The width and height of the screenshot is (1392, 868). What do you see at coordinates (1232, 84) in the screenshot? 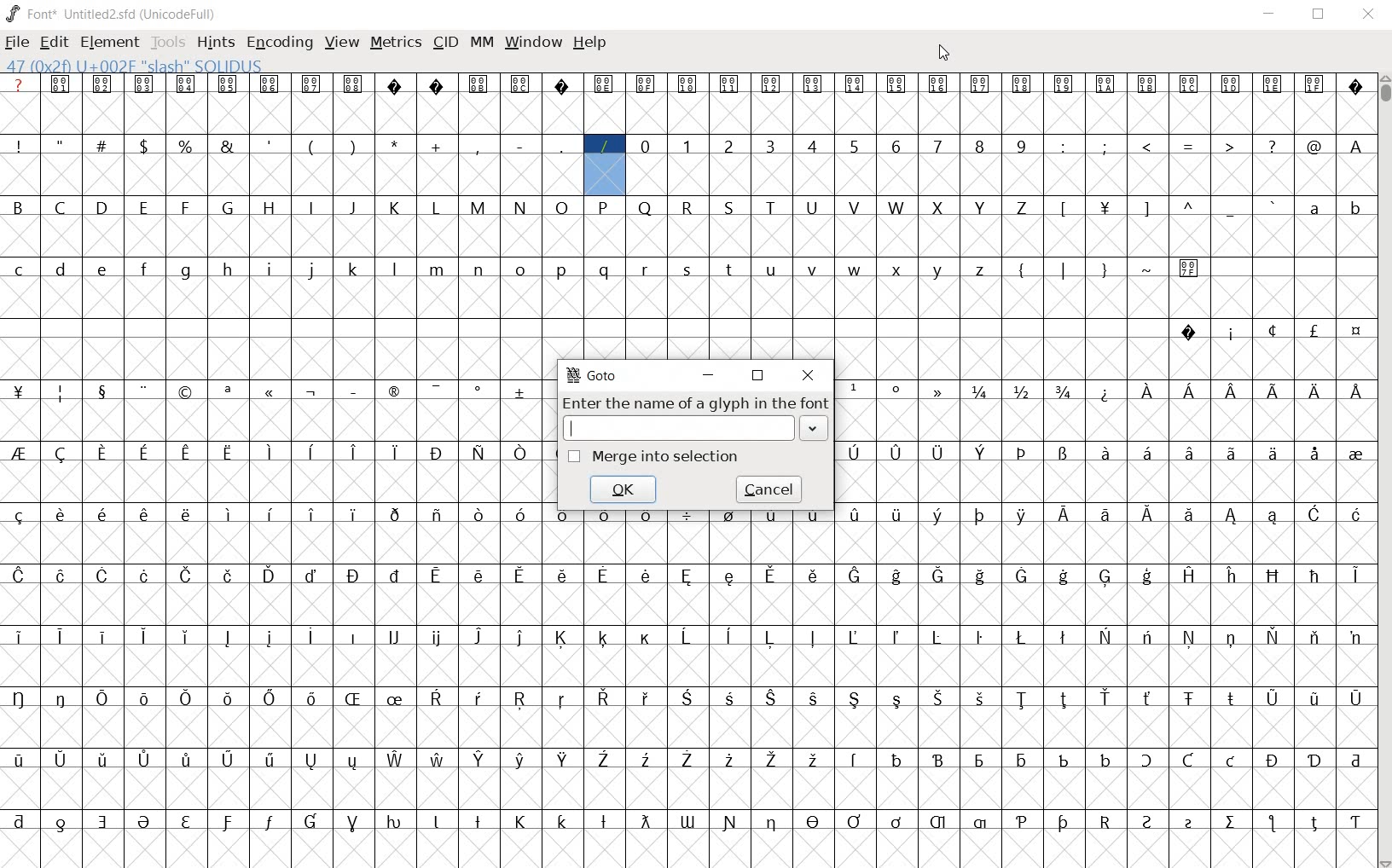
I see `glyph` at bounding box center [1232, 84].